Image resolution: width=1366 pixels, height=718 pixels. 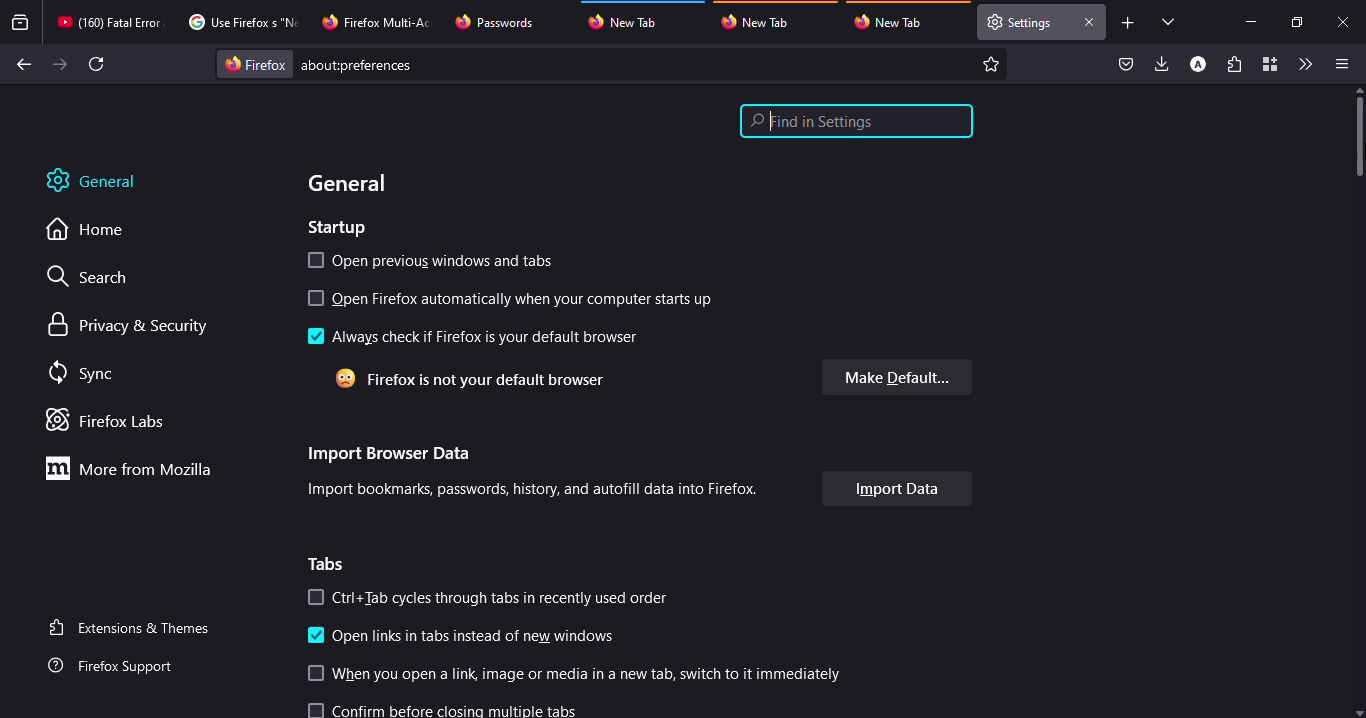 What do you see at coordinates (1338, 64) in the screenshot?
I see `menu` at bounding box center [1338, 64].